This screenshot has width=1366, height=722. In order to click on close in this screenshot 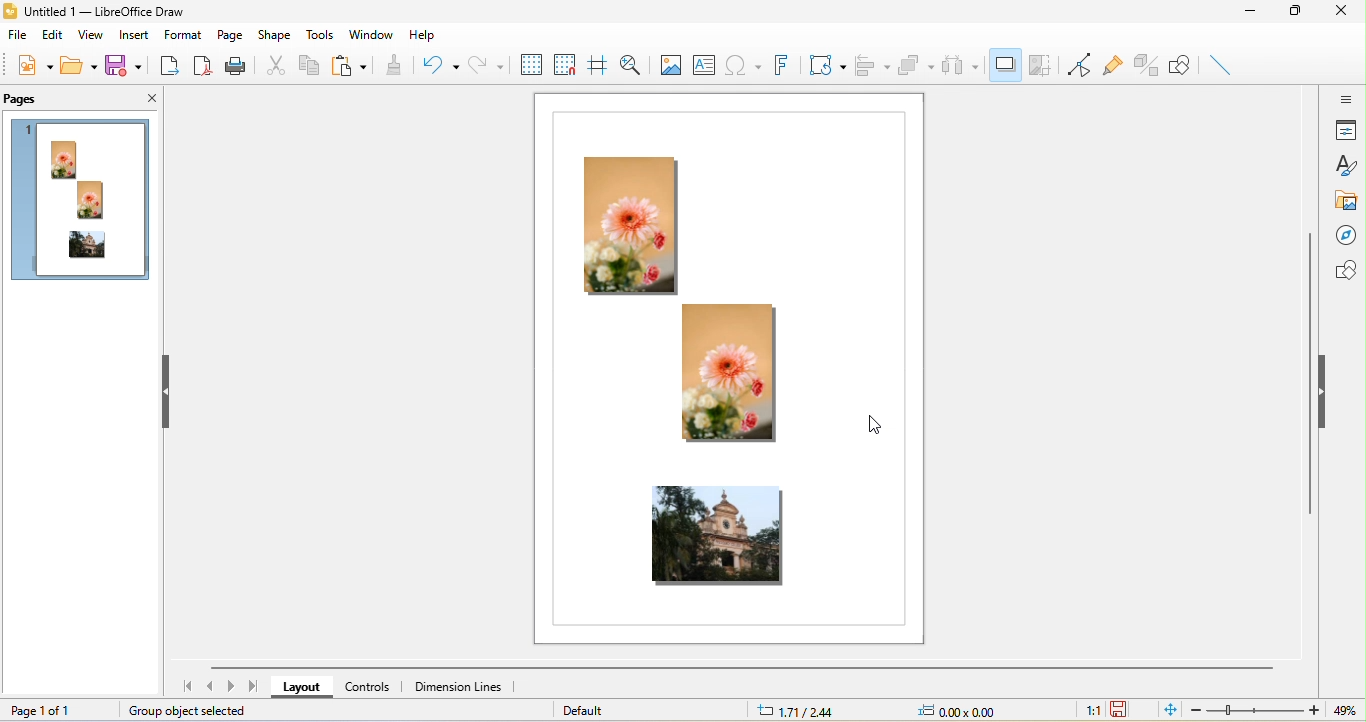, I will do `click(1347, 12)`.